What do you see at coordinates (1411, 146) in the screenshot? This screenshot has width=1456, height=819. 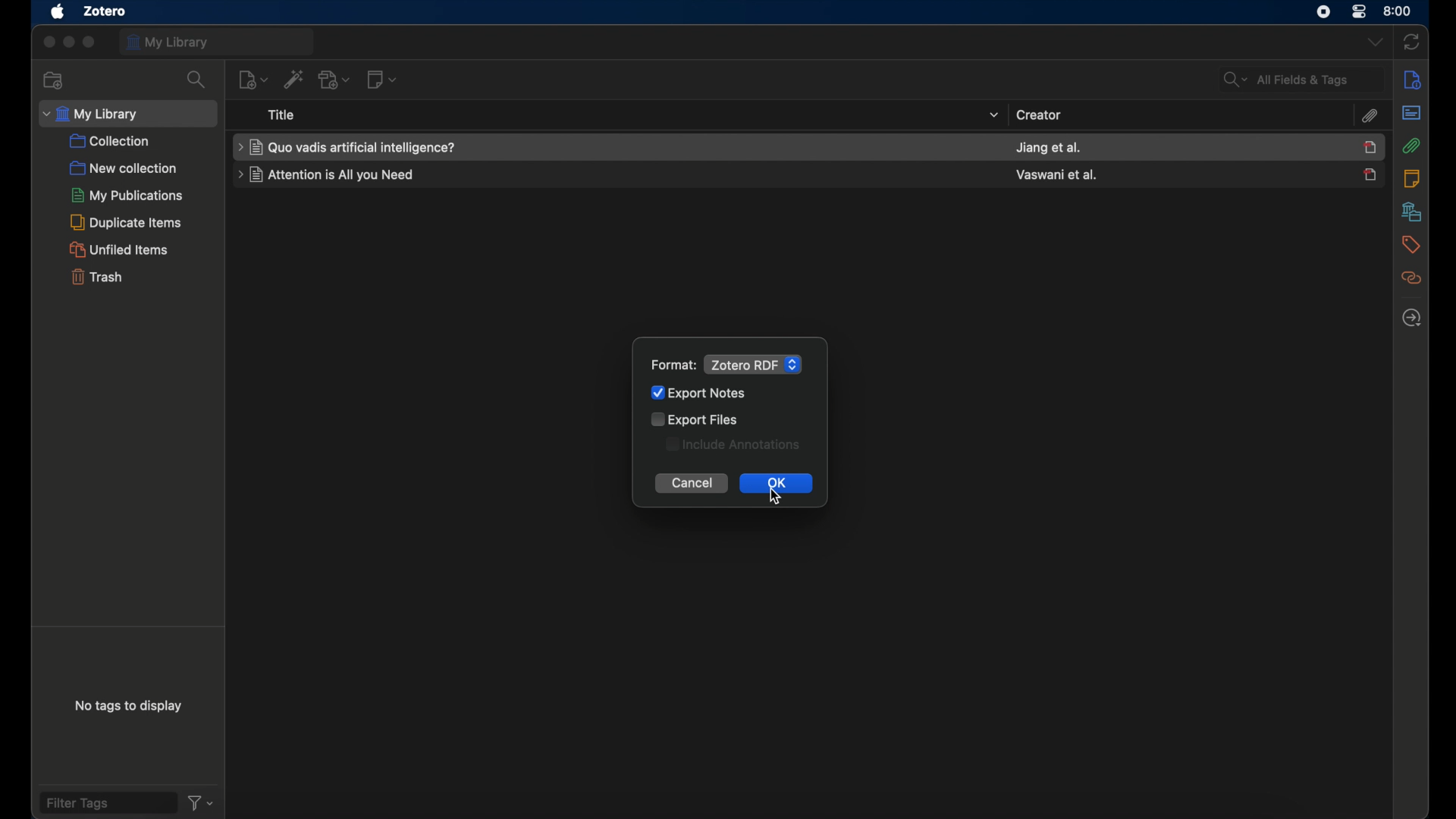 I see `attachments` at bounding box center [1411, 146].